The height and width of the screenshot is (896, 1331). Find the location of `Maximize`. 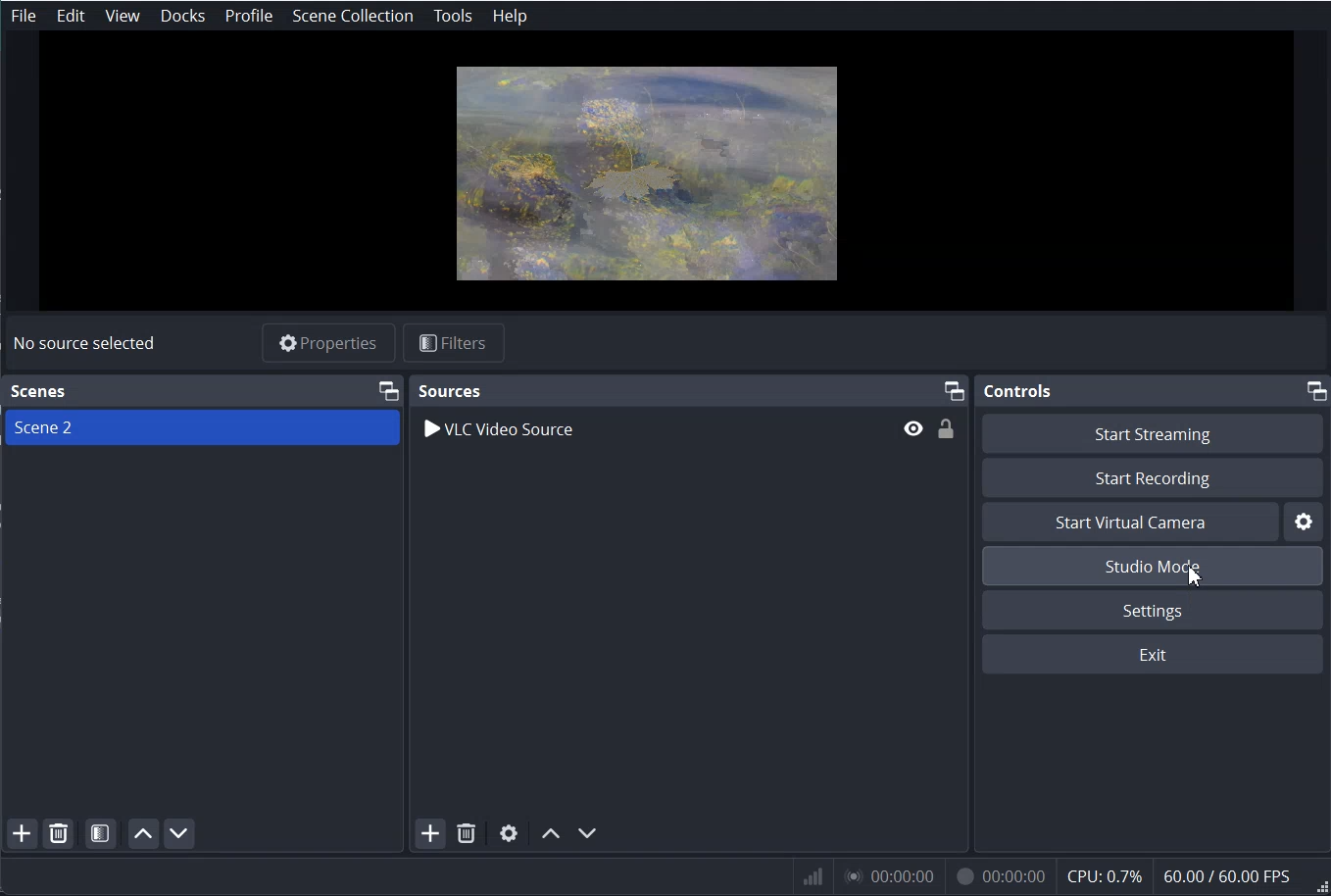

Maximize is located at coordinates (954, 389).